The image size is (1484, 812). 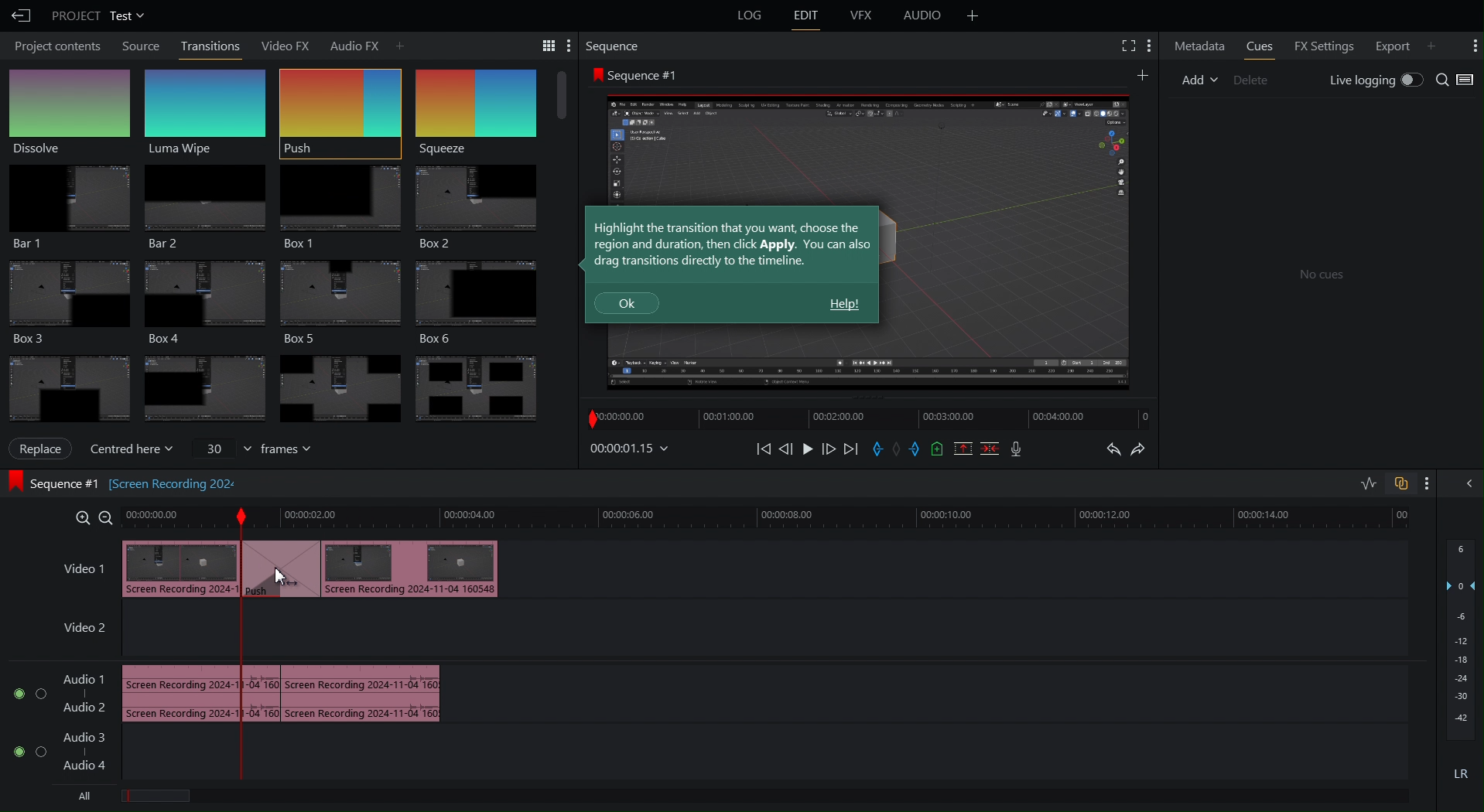 I want to click on Bar 2, so click(x=202, y=209).